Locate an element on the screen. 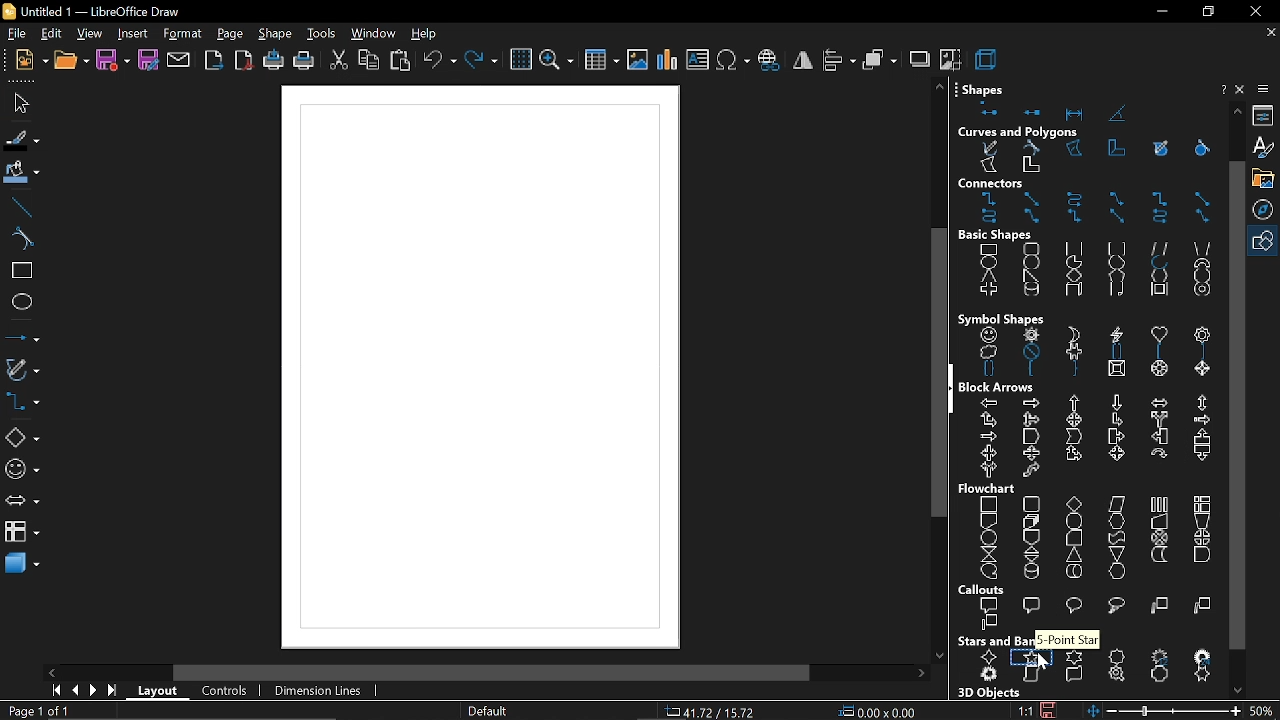  styles is located at coordinates (1266, 148).